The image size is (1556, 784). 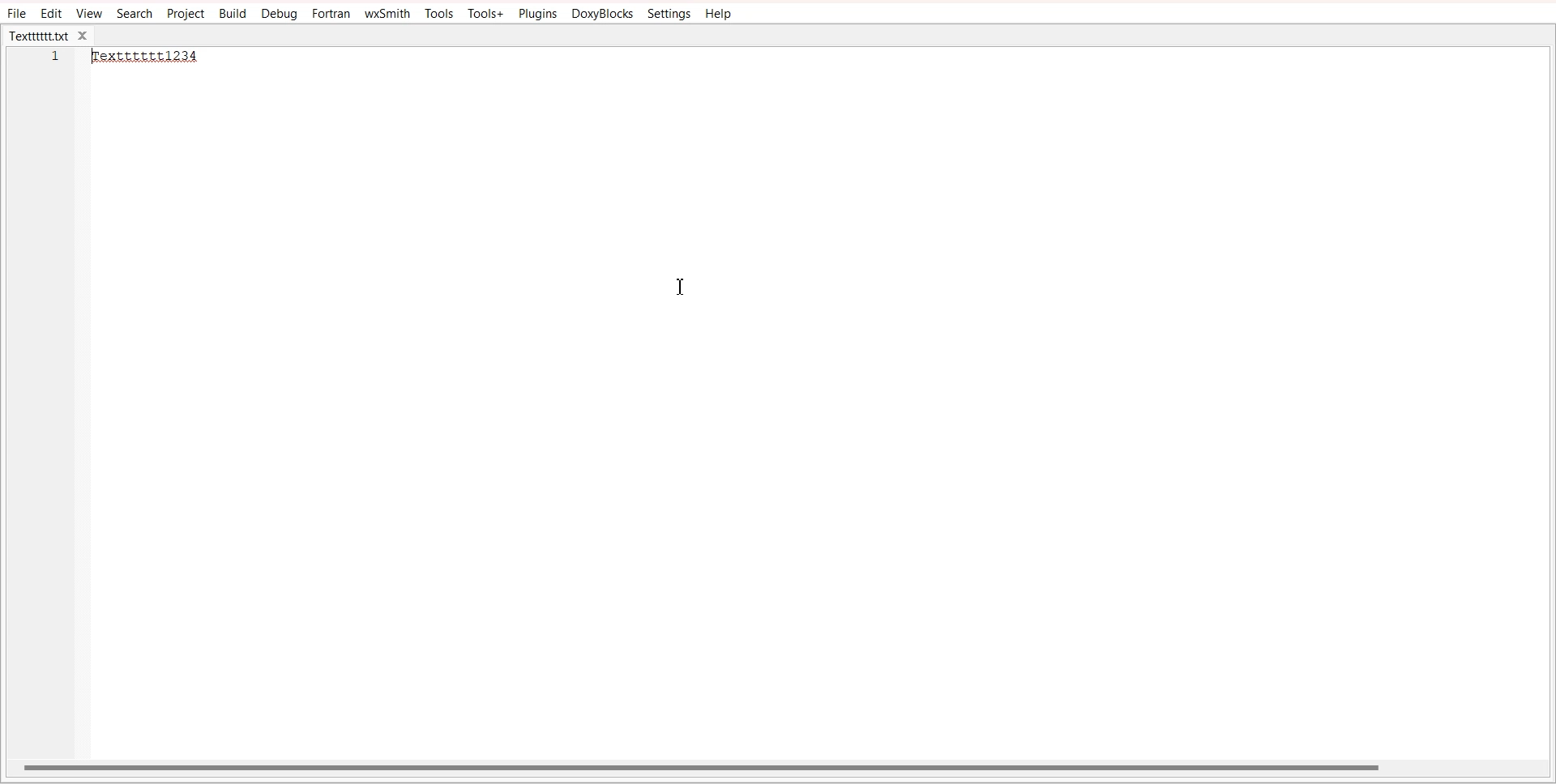 What do you see at coordinates (279, 14) in the screenshot?
I see `Debug` at bounding box center [279, 14].